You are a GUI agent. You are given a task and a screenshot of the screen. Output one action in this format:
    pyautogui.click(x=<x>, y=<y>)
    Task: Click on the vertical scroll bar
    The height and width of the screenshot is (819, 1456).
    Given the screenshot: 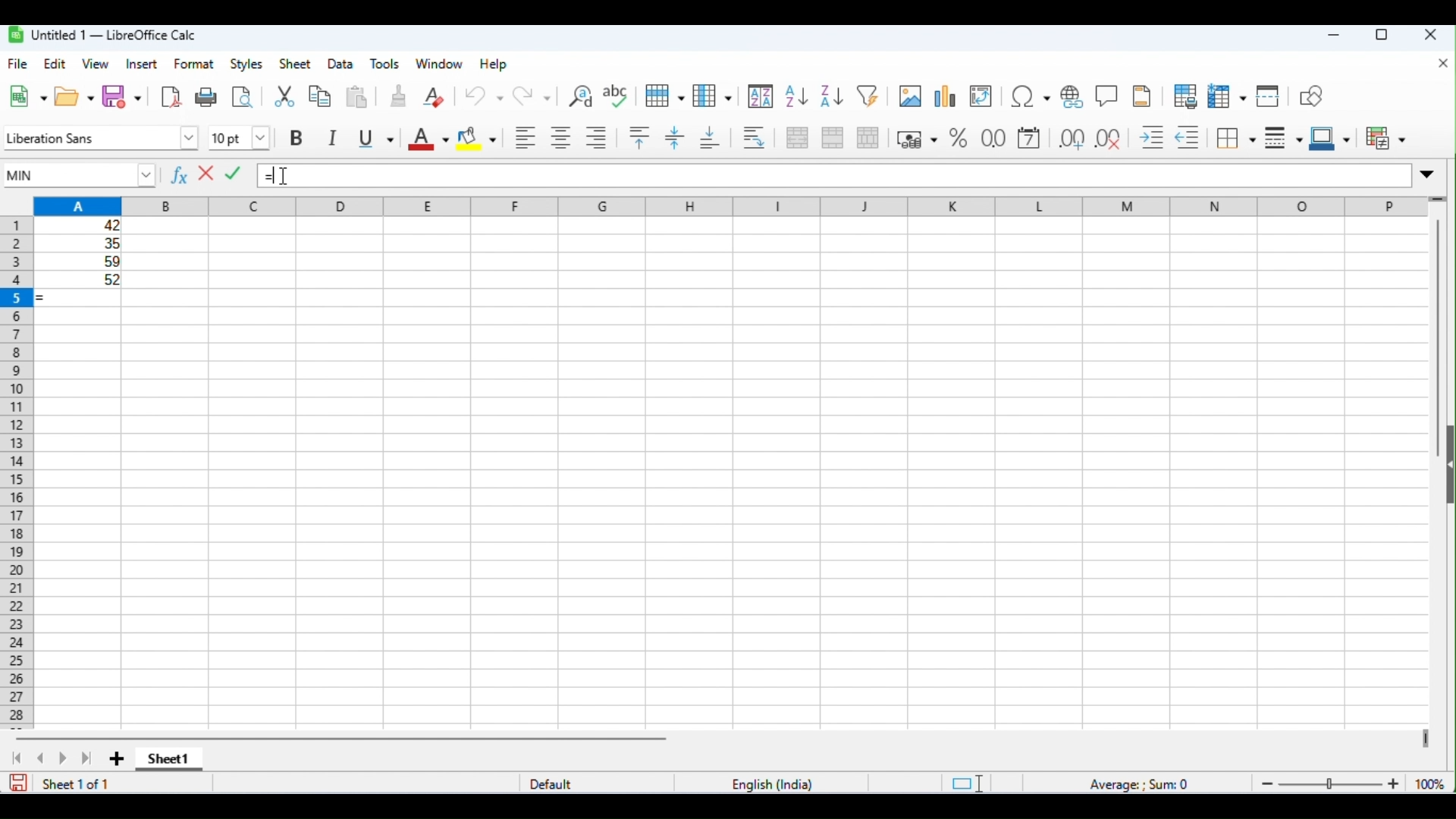 What is the action you would take?
    pyautogui.click(x=1436, y=340)
    